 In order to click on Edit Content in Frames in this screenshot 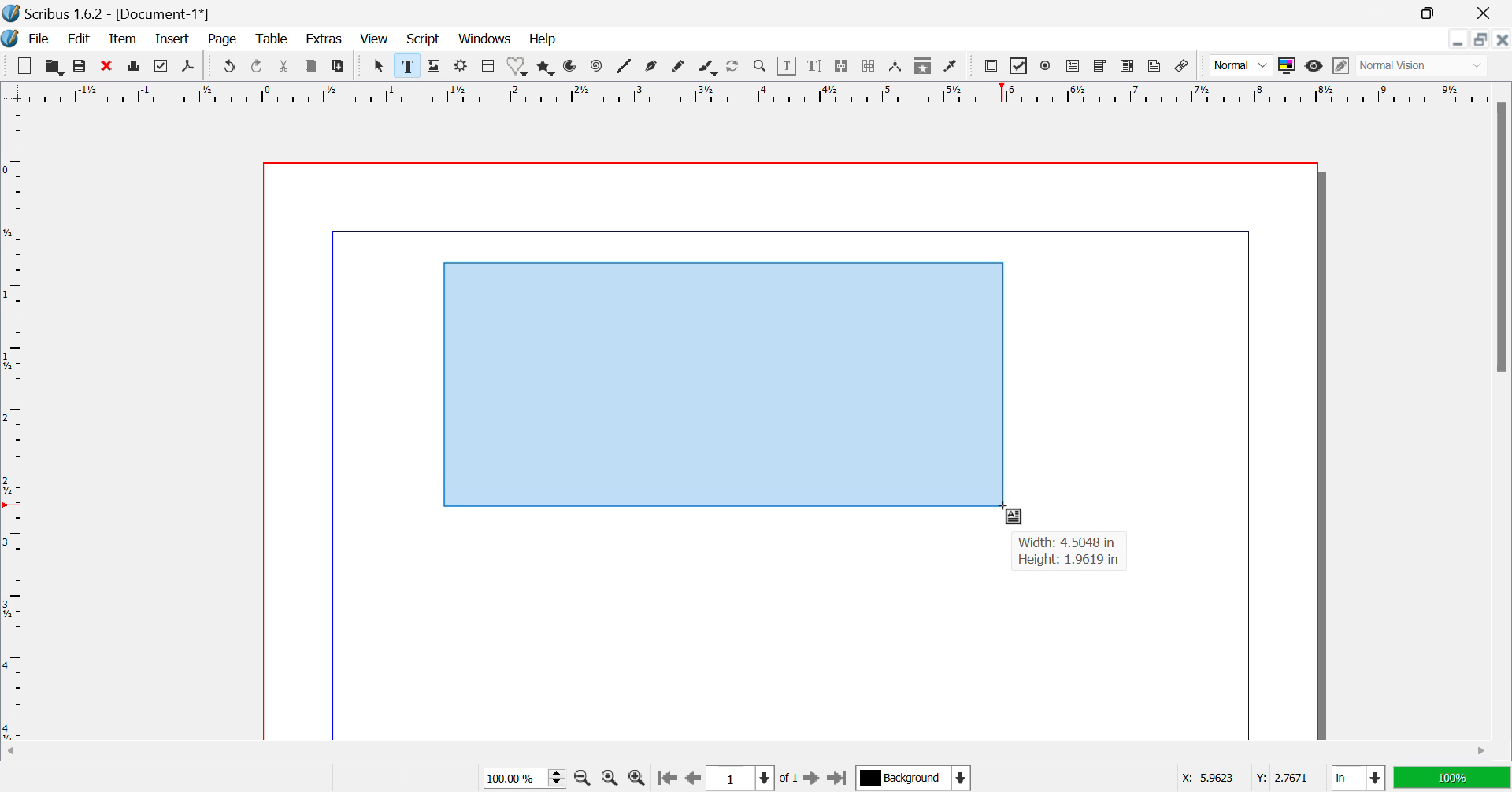, I will do `click(790, 66)`.